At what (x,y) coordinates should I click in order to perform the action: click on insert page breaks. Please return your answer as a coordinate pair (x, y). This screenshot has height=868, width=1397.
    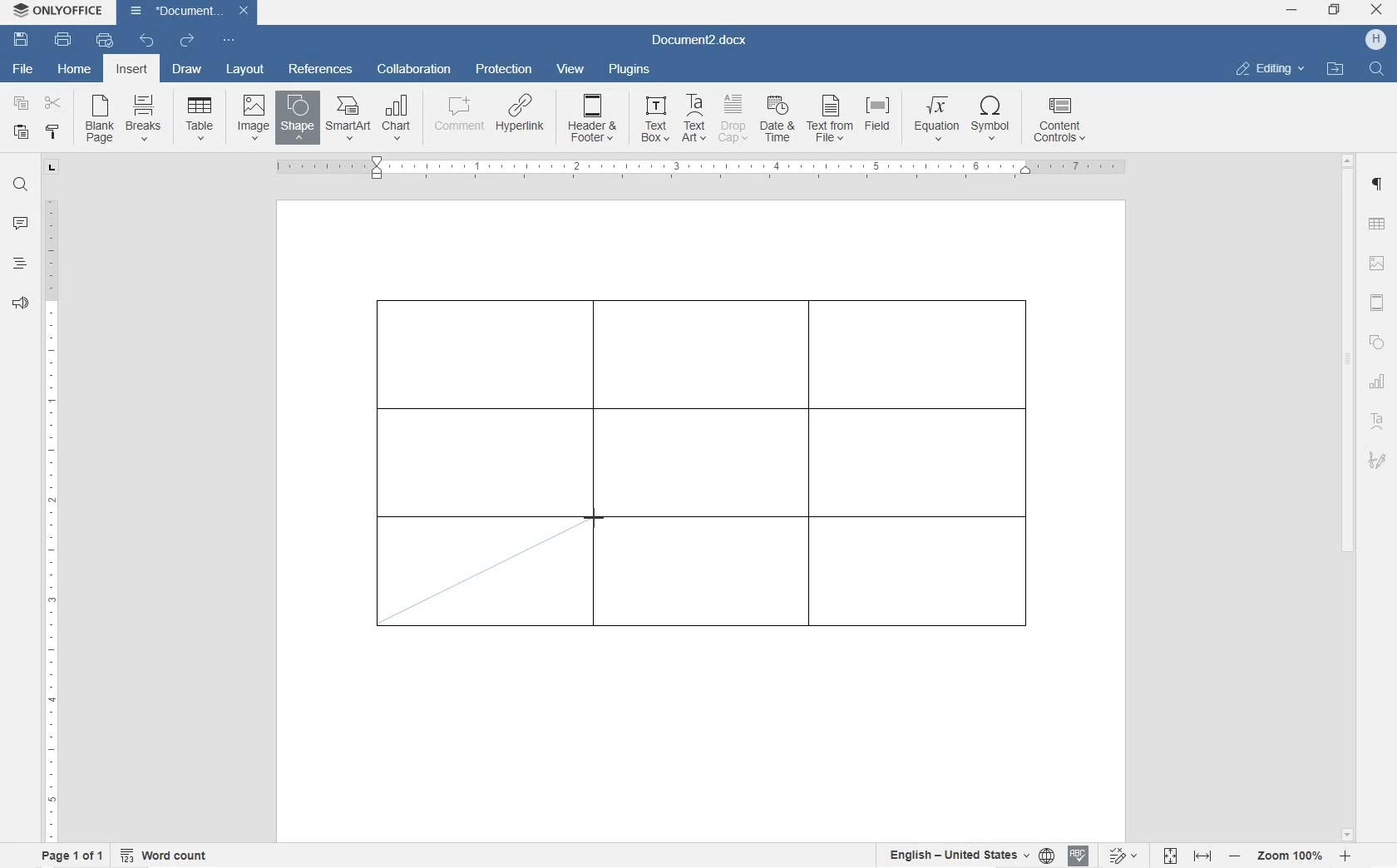
    Looking at the image, I should click on (146, 119).